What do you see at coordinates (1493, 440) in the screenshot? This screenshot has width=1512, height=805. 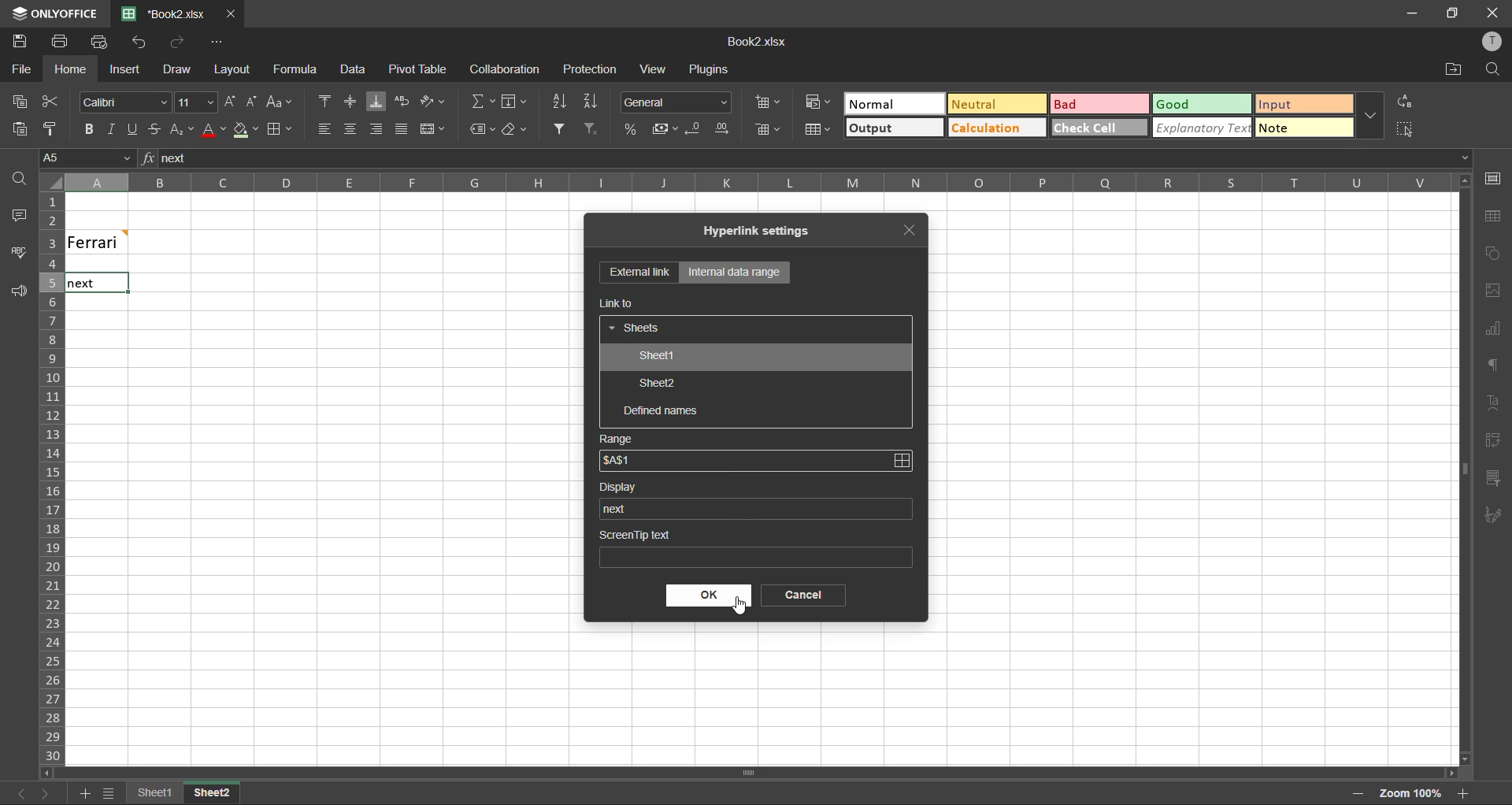 I see `pivot table` at bounding box center [1493, 440].